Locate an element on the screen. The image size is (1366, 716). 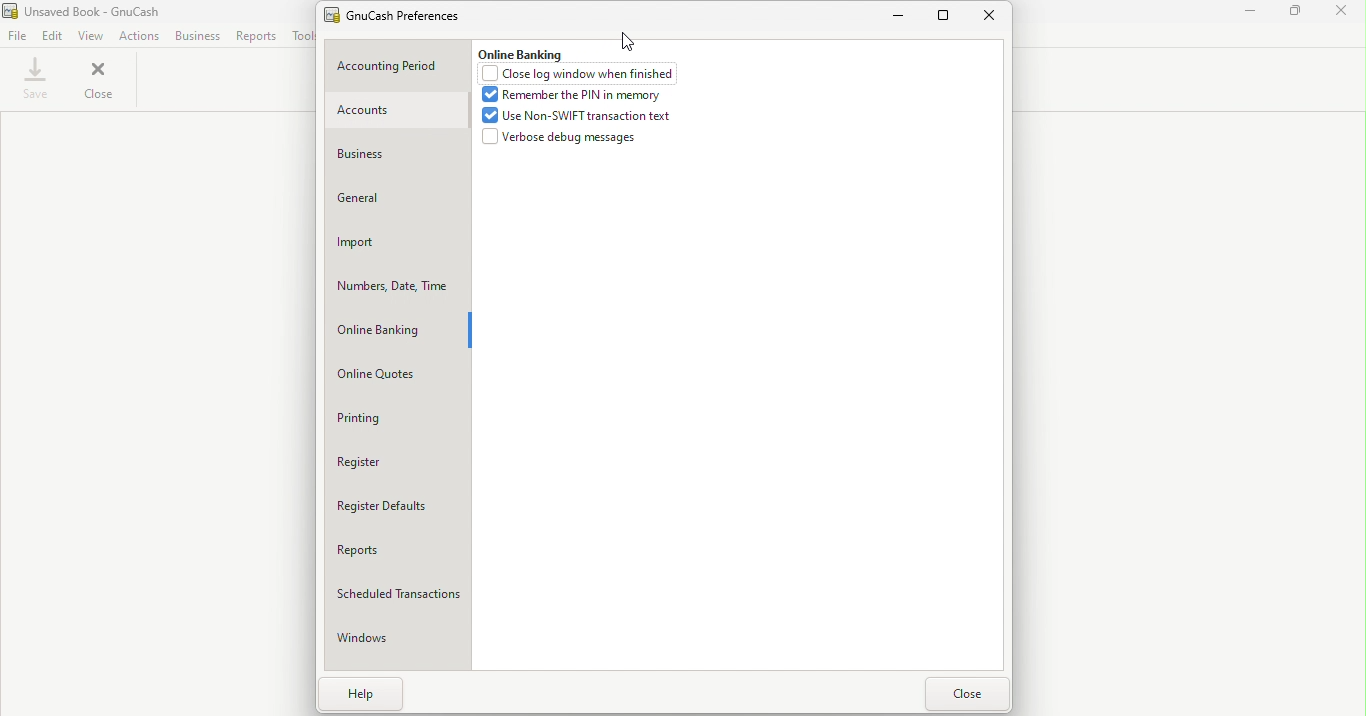
cursor is located at coordinates (629, 40).